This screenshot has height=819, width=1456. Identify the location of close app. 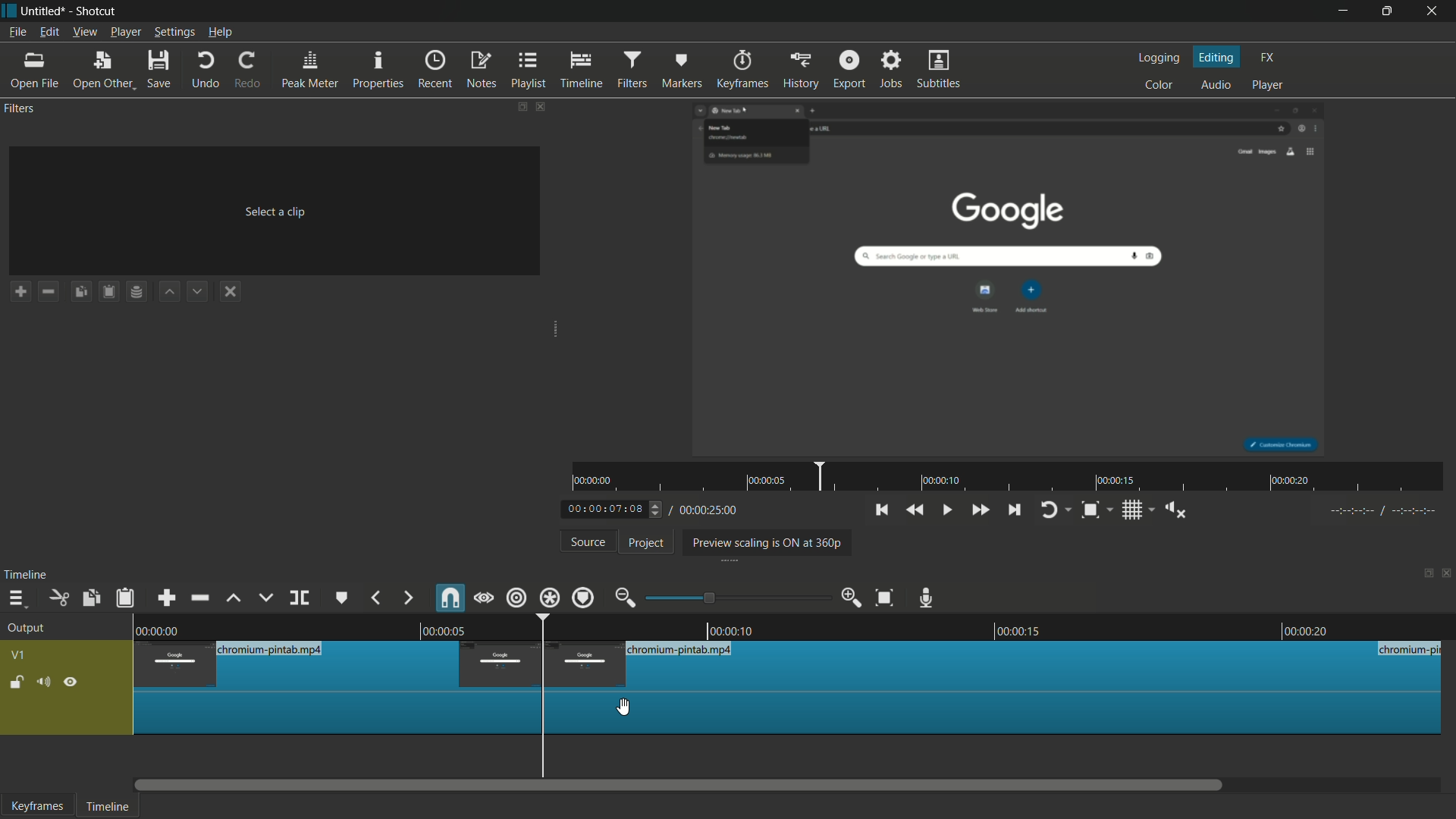
(1434, 11).